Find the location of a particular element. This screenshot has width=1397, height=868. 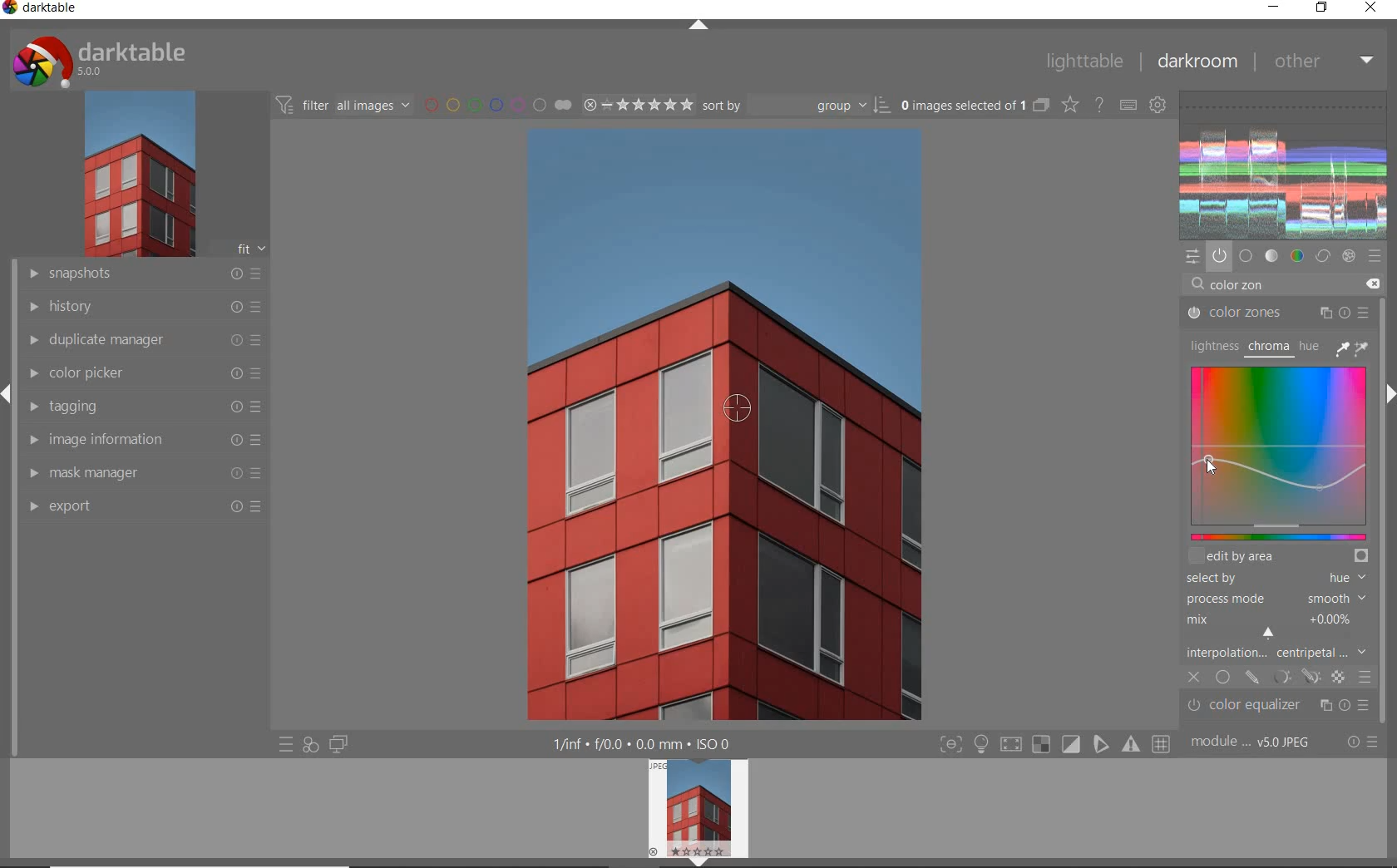

gamut check is located at coordinates (1039, 744).